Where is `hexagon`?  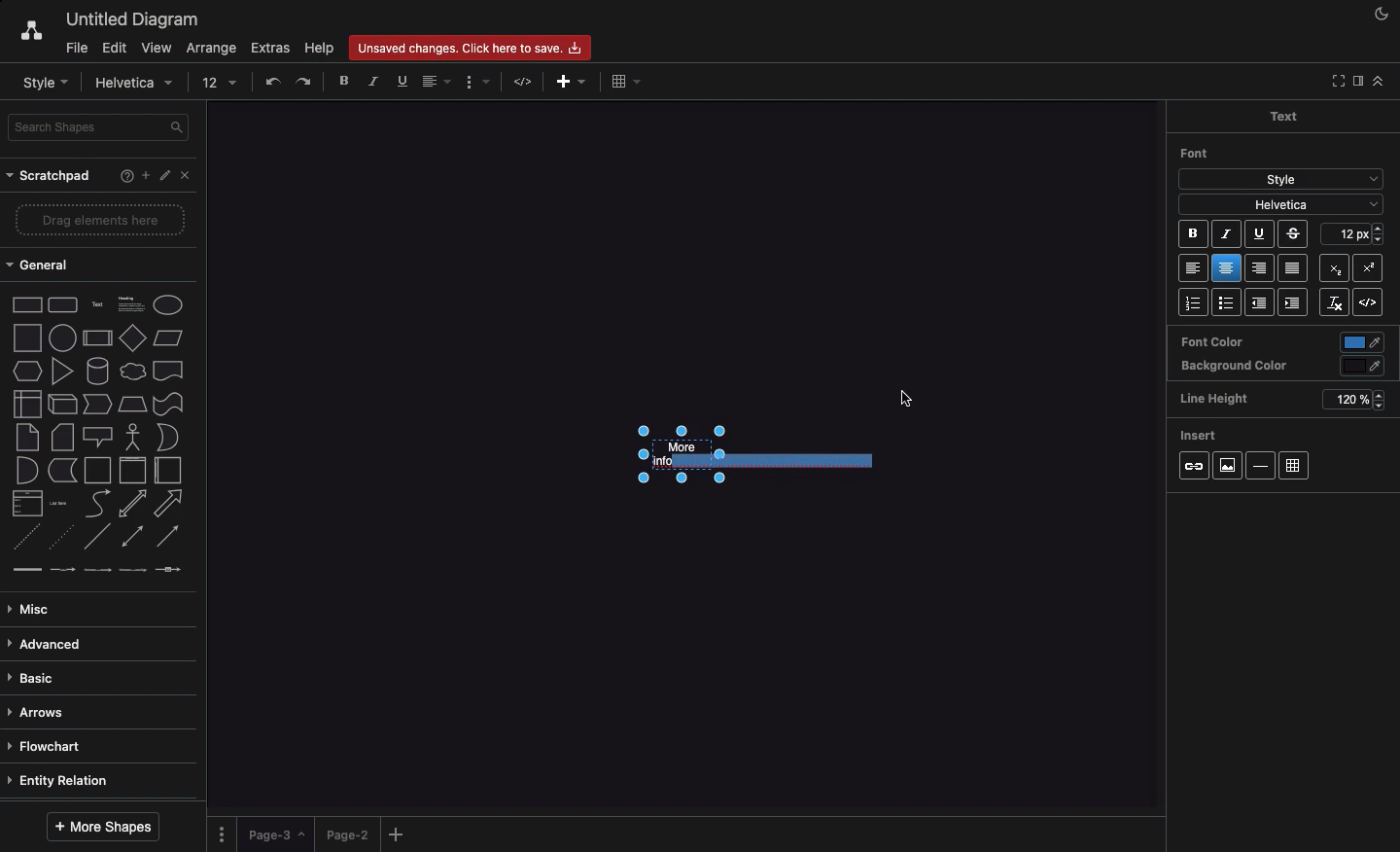
hexagon is located at coordinates (28, 372).